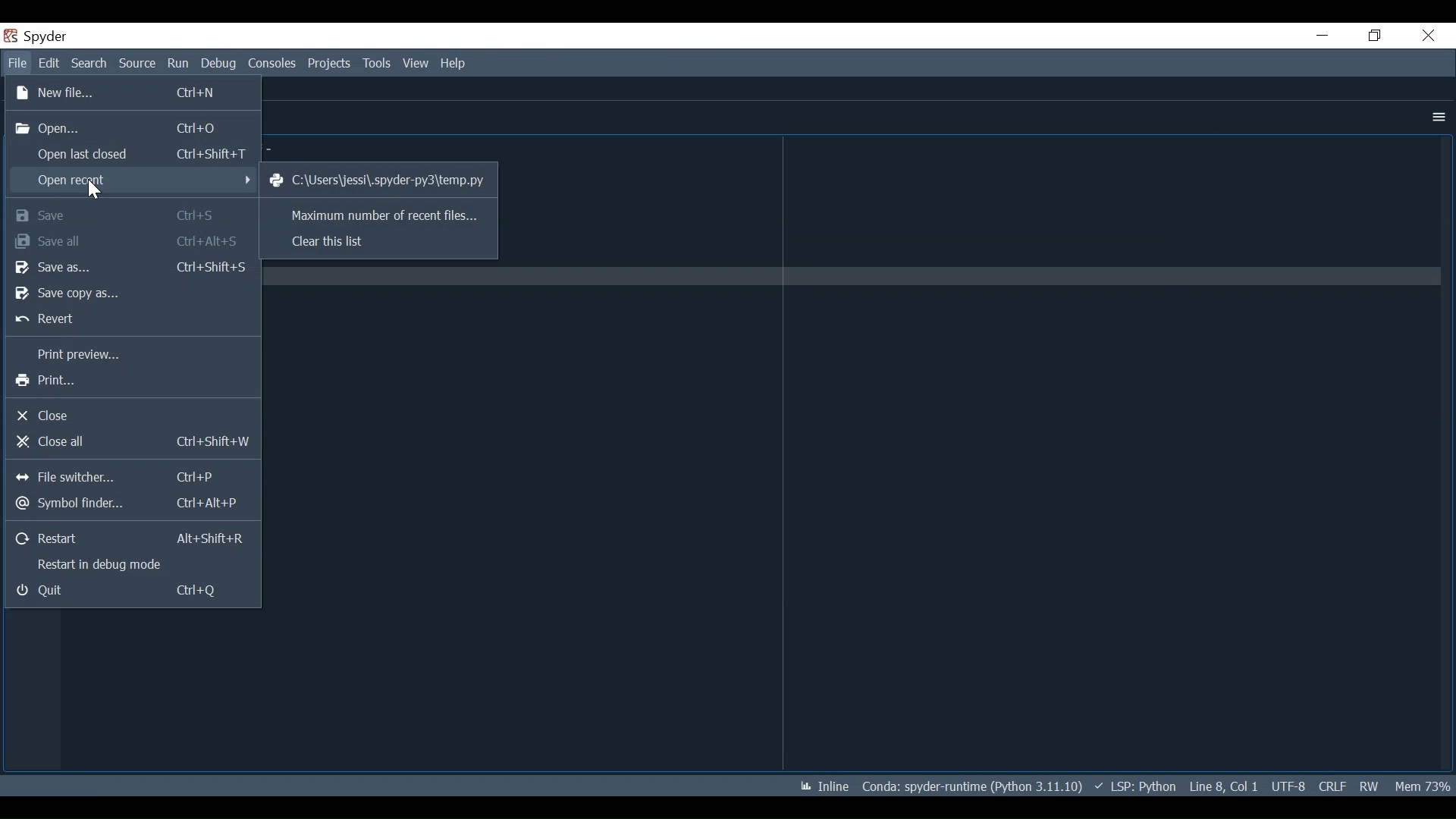  What do you see at coordinates (131, 354) in the screenshot?
I see `Print Preview` at bounding box center [131, 354].